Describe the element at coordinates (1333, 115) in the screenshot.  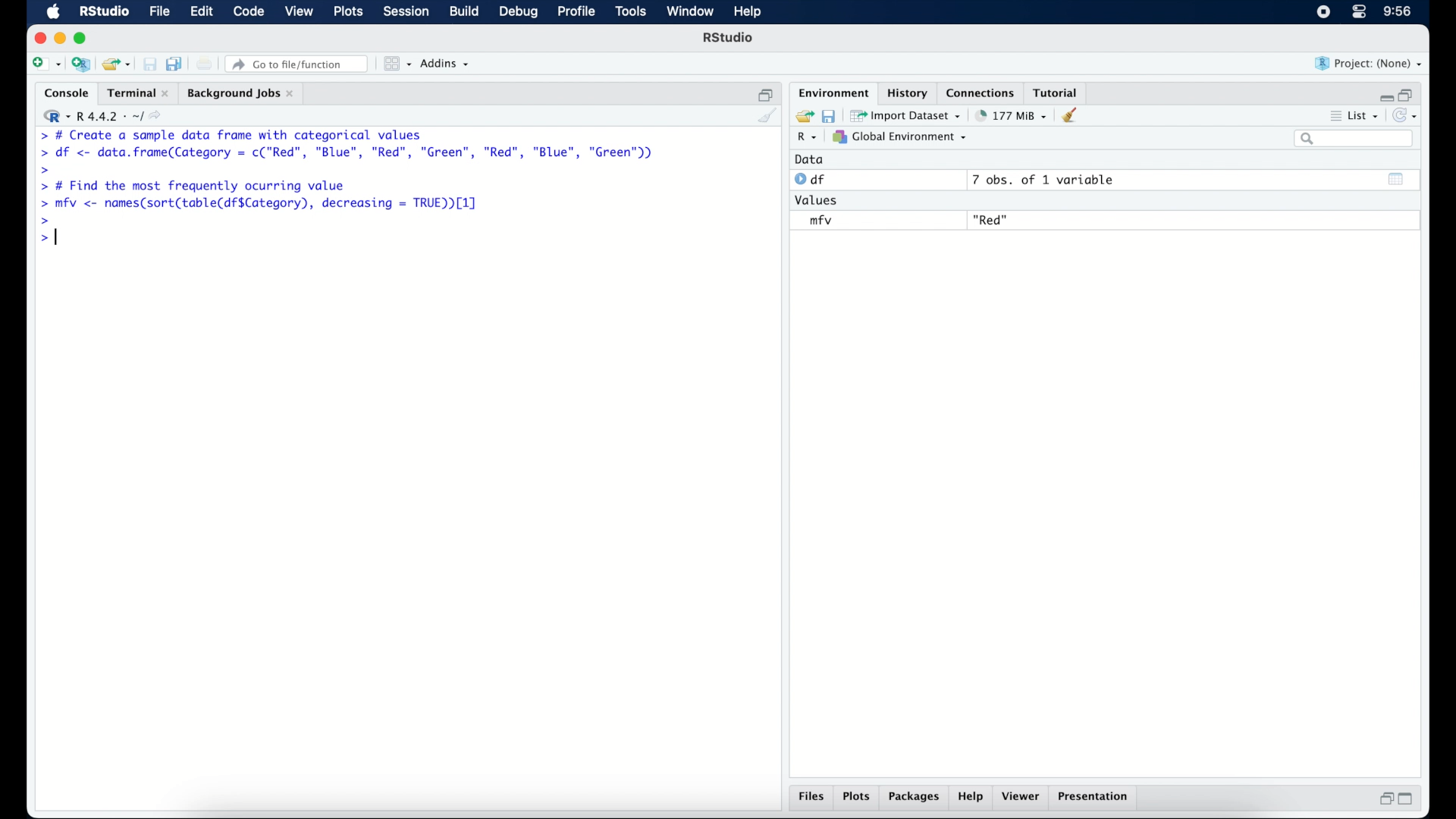
I see `more options` at that location.